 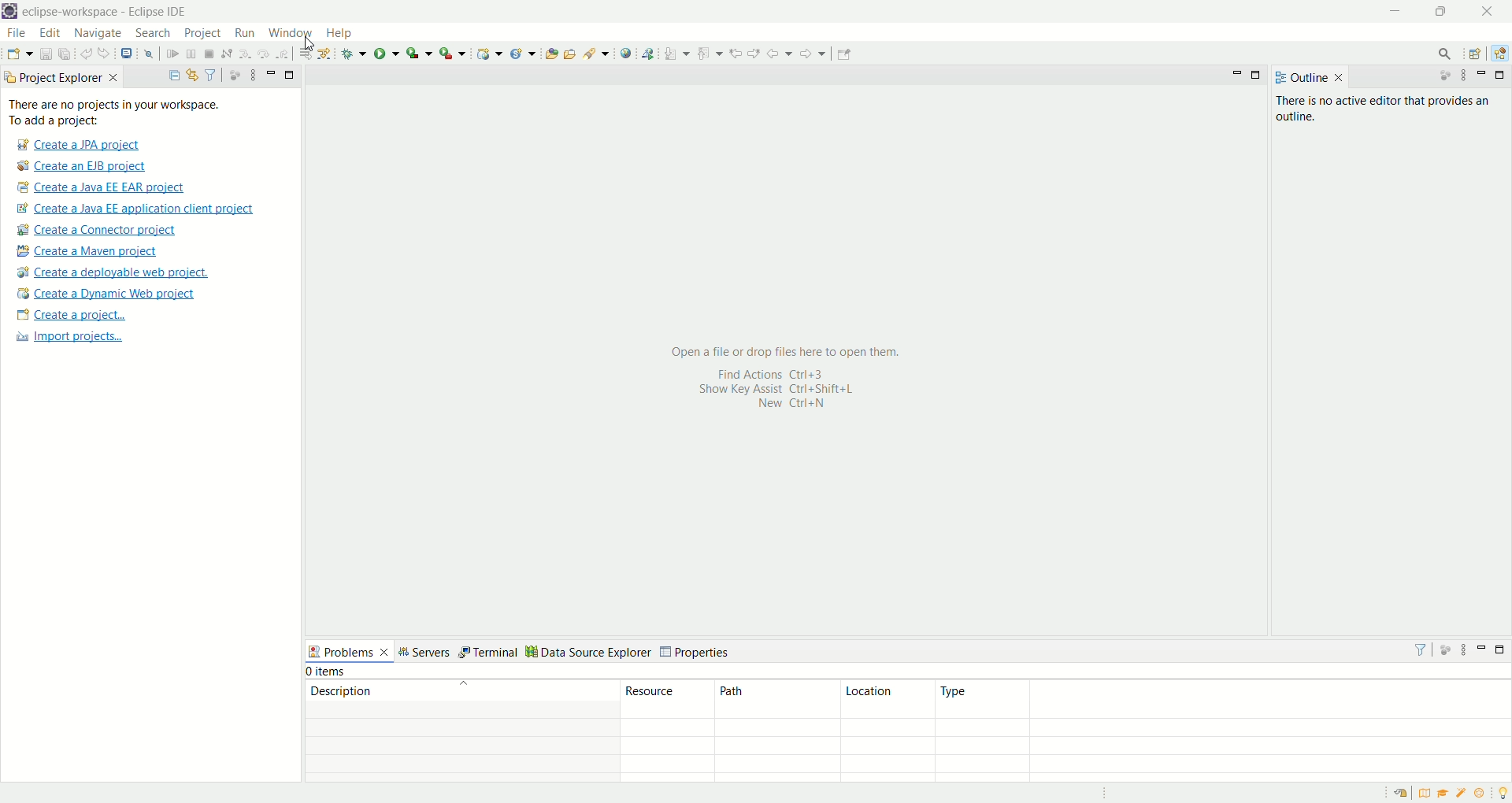 What do you see at coordinates (676, 53) in the screenshot?
I see `next annotations` at bounding box center [676, 53].